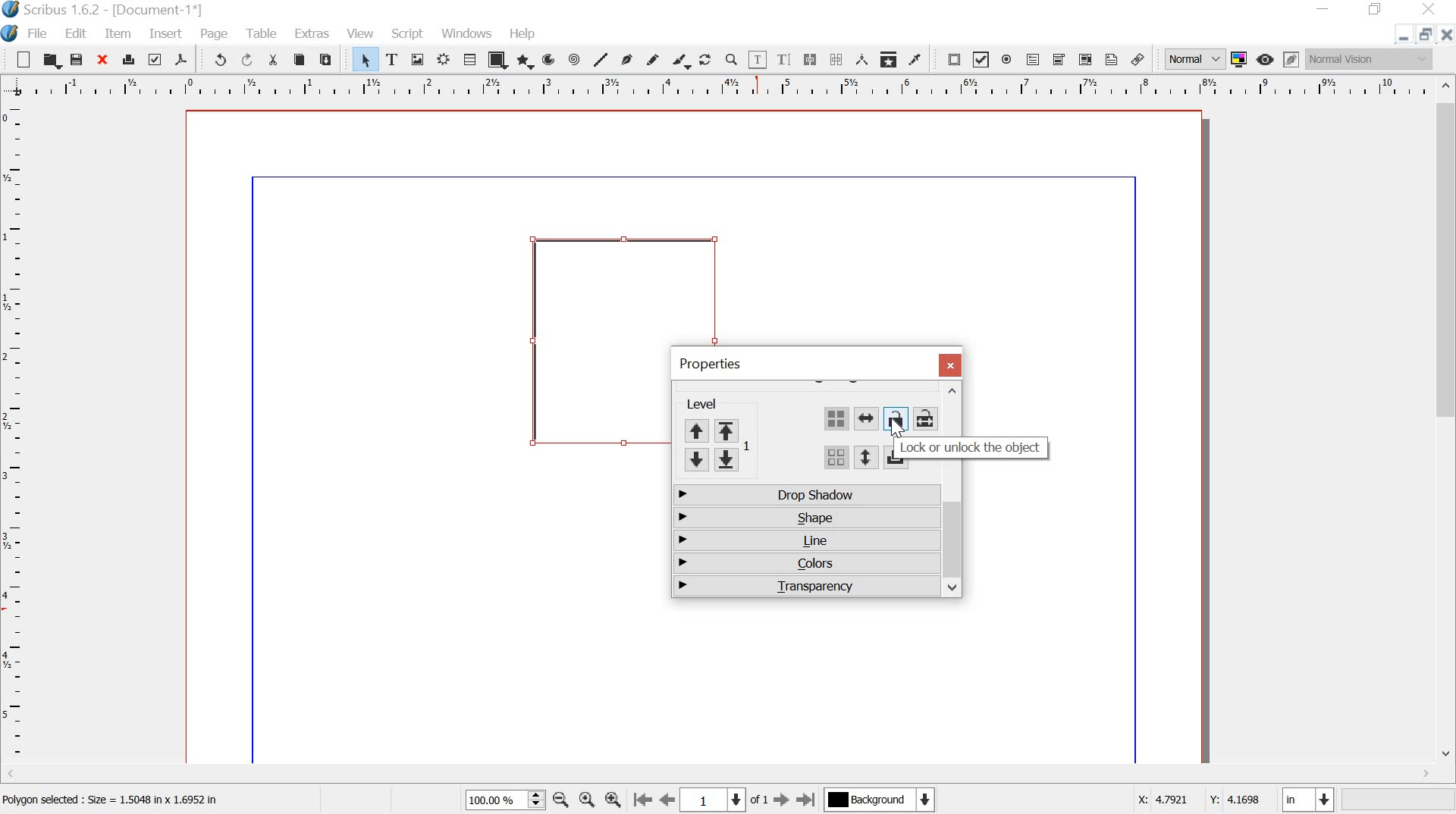  I want to click on preview mode, so click(1266, 59).